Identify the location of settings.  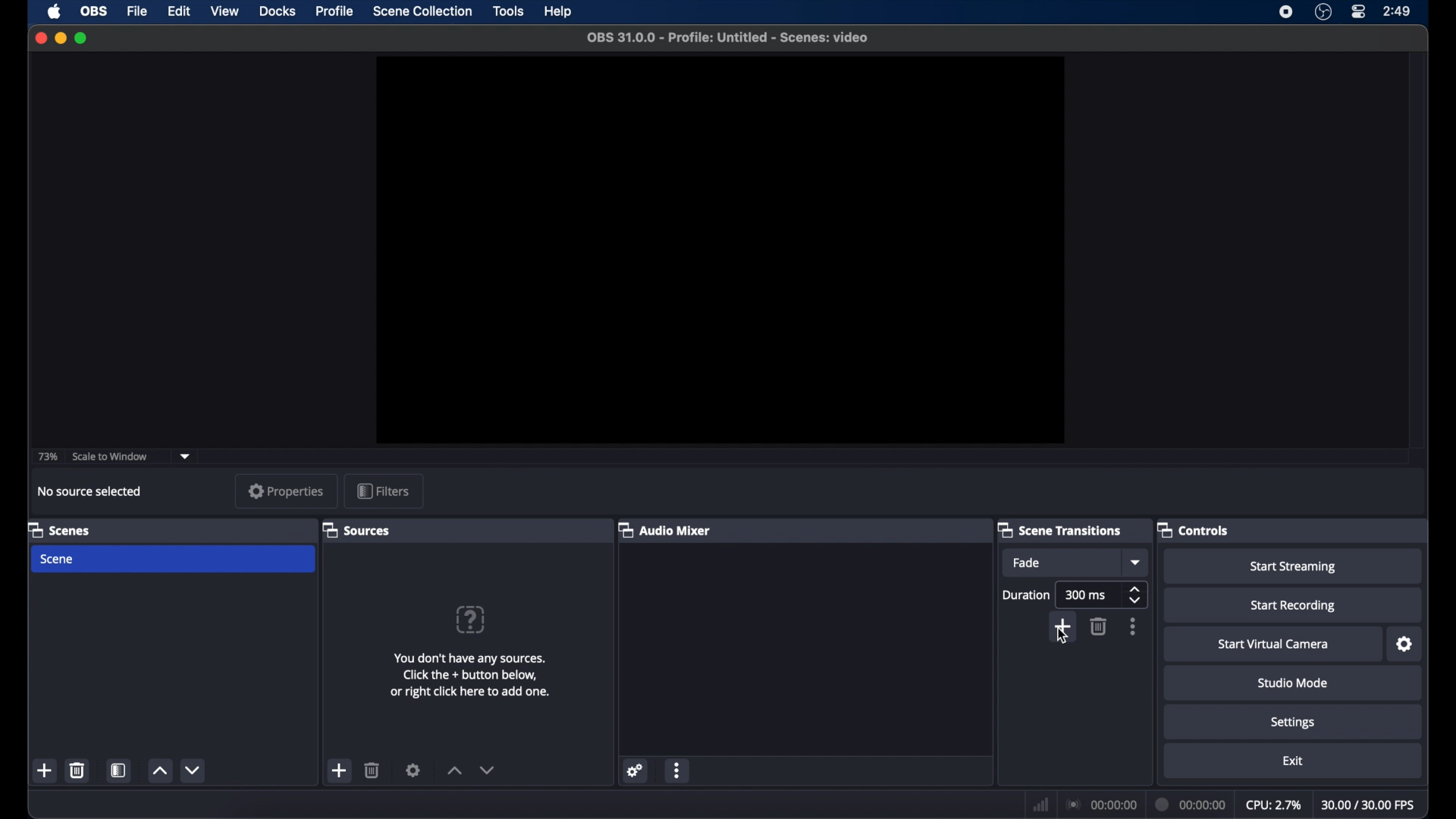
(413, 770).